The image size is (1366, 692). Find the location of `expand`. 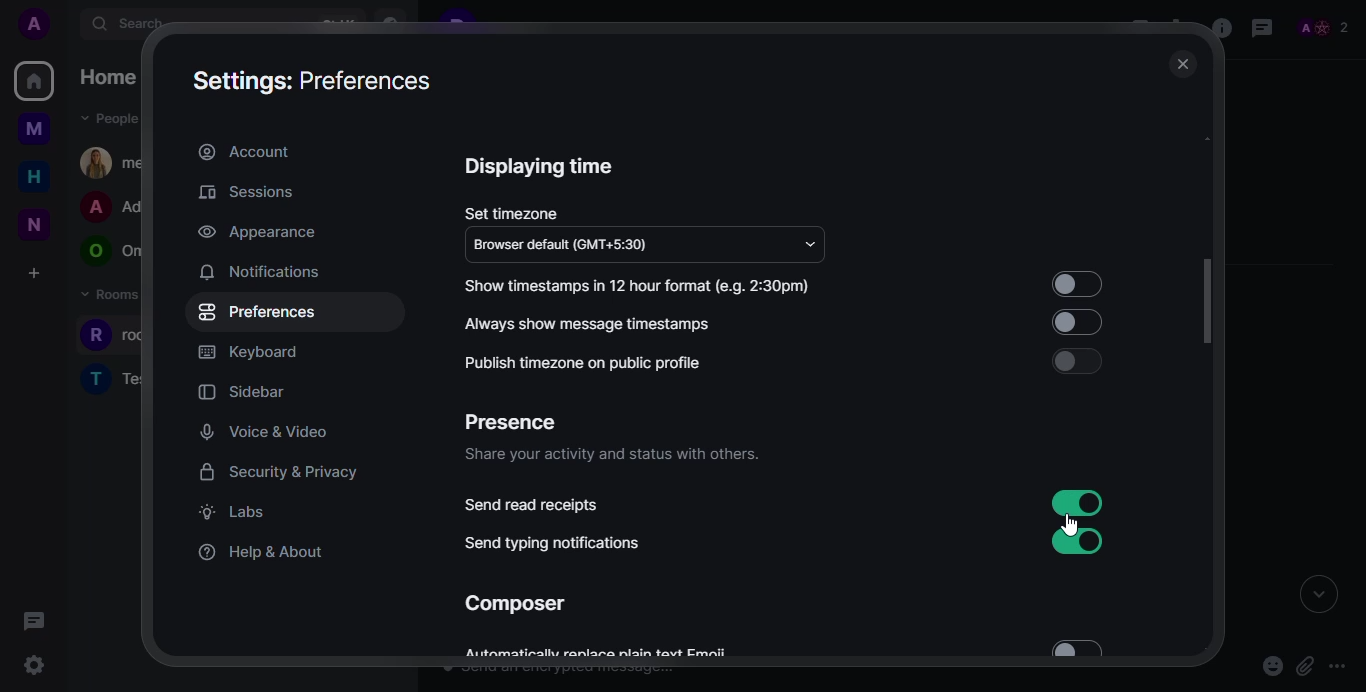

expand is located at coordinates (1318, 597).